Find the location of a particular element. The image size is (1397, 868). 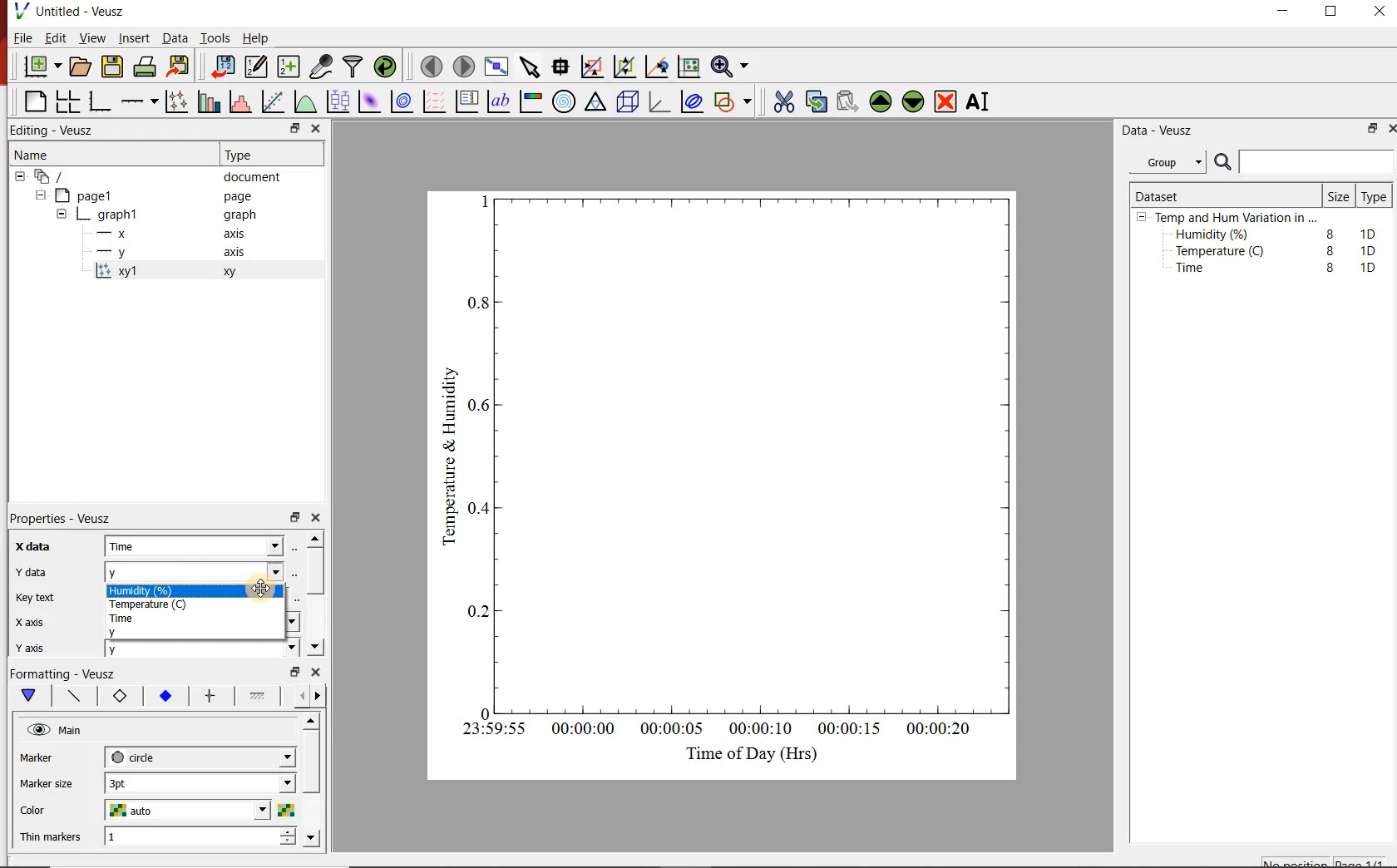

Humidity (%) is located at coordinates (1216, 235).